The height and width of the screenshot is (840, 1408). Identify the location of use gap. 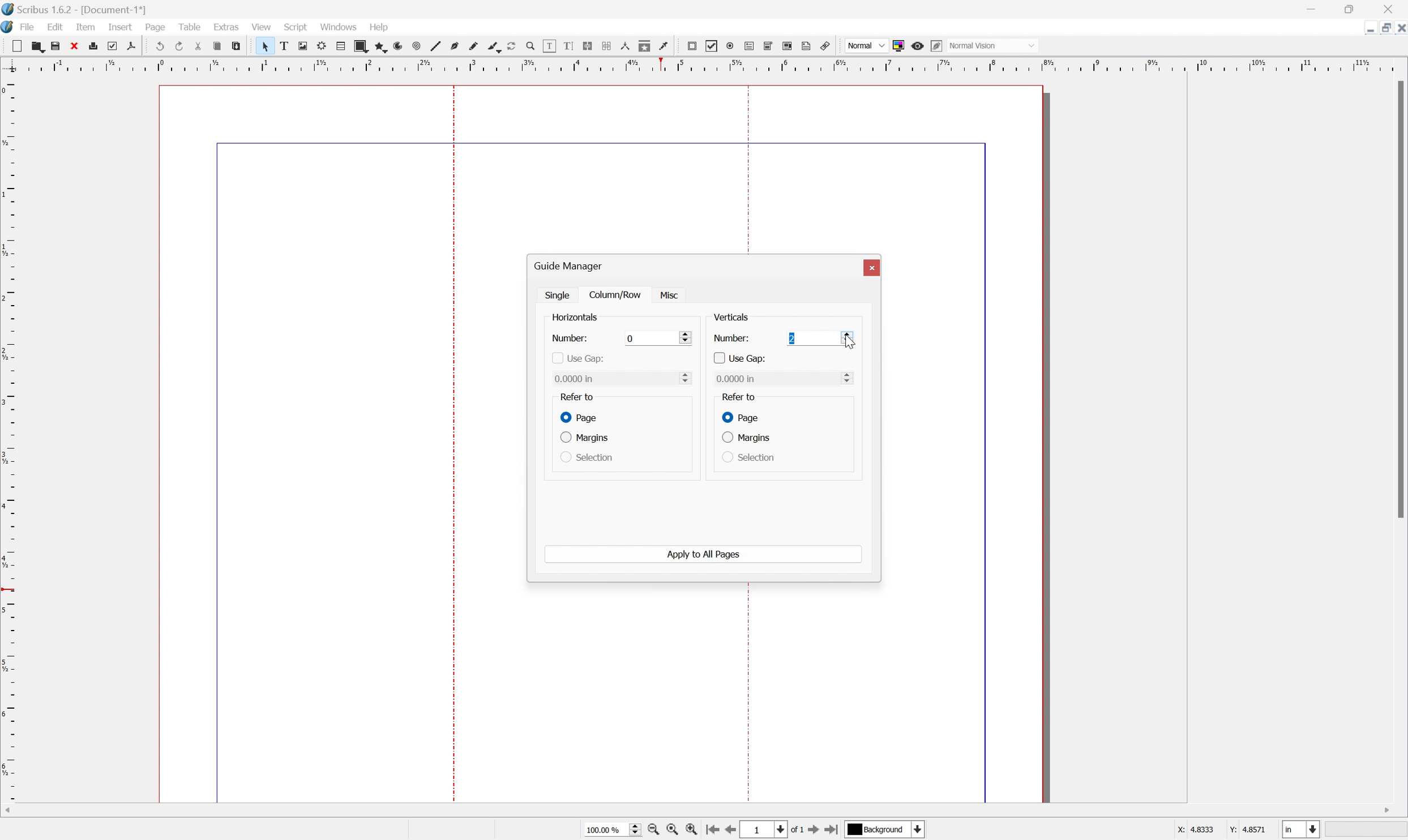
(577, 359).